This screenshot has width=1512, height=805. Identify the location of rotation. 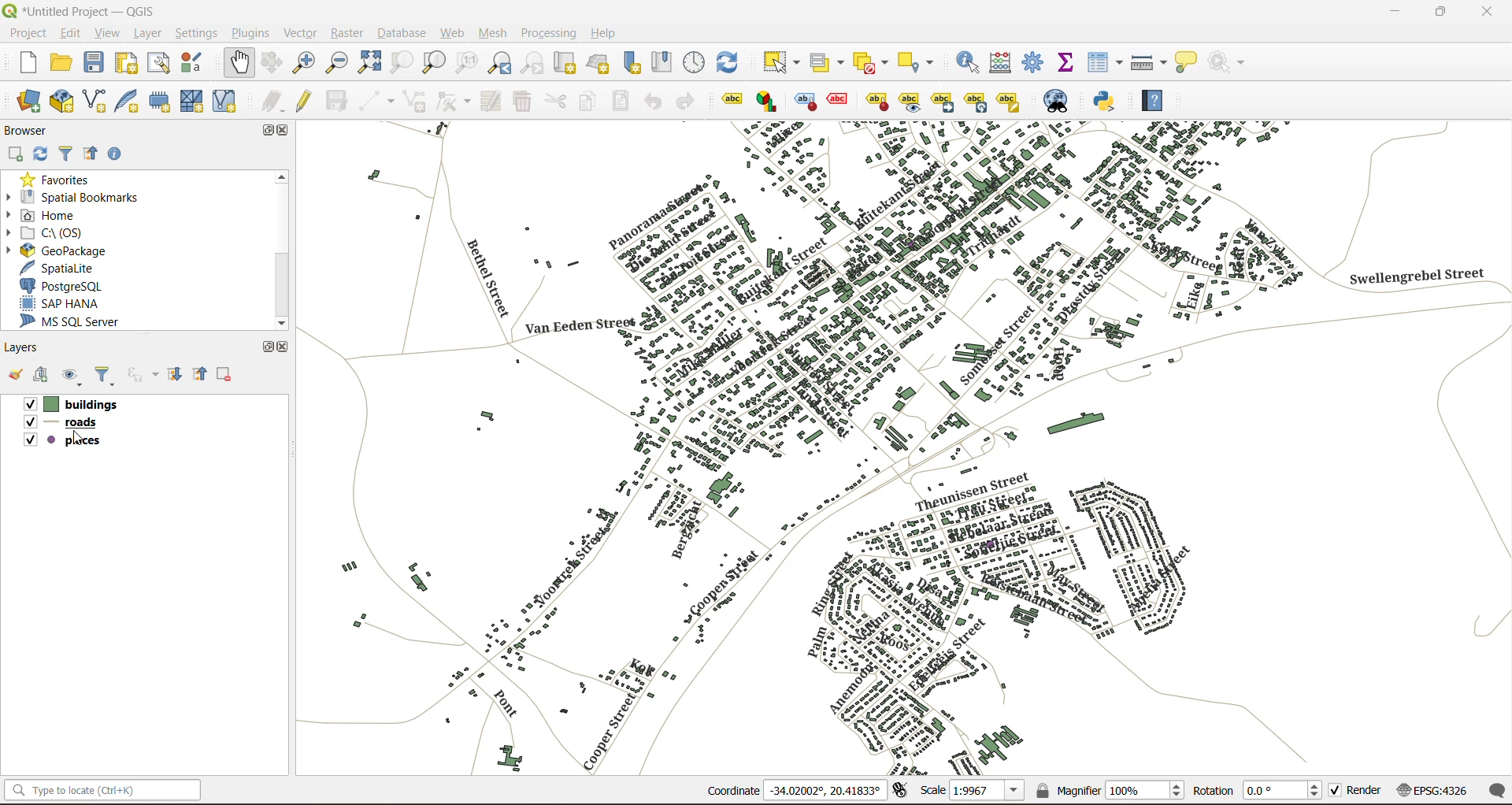
(1254, 789).